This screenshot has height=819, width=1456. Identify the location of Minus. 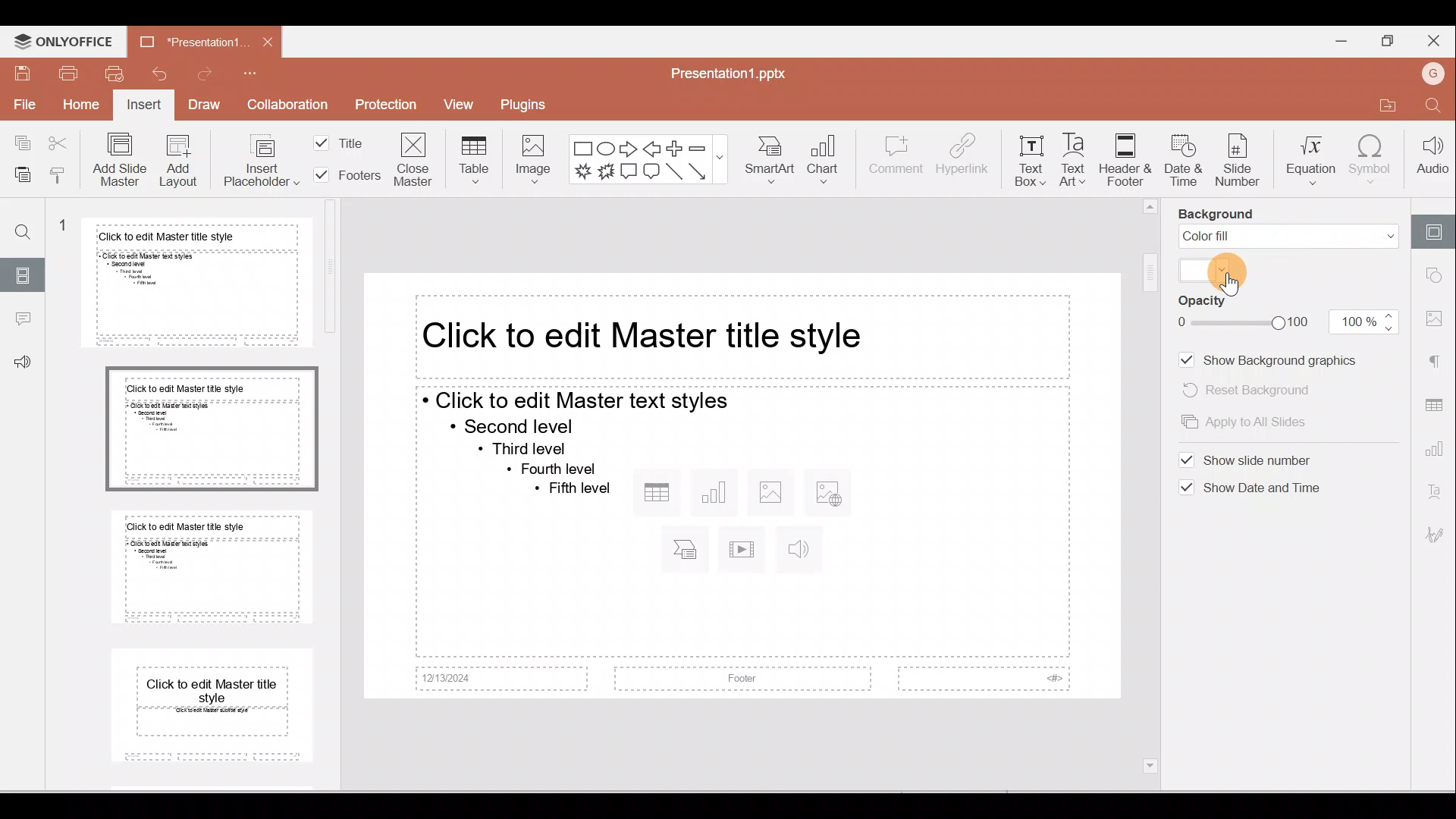
(697, 147).